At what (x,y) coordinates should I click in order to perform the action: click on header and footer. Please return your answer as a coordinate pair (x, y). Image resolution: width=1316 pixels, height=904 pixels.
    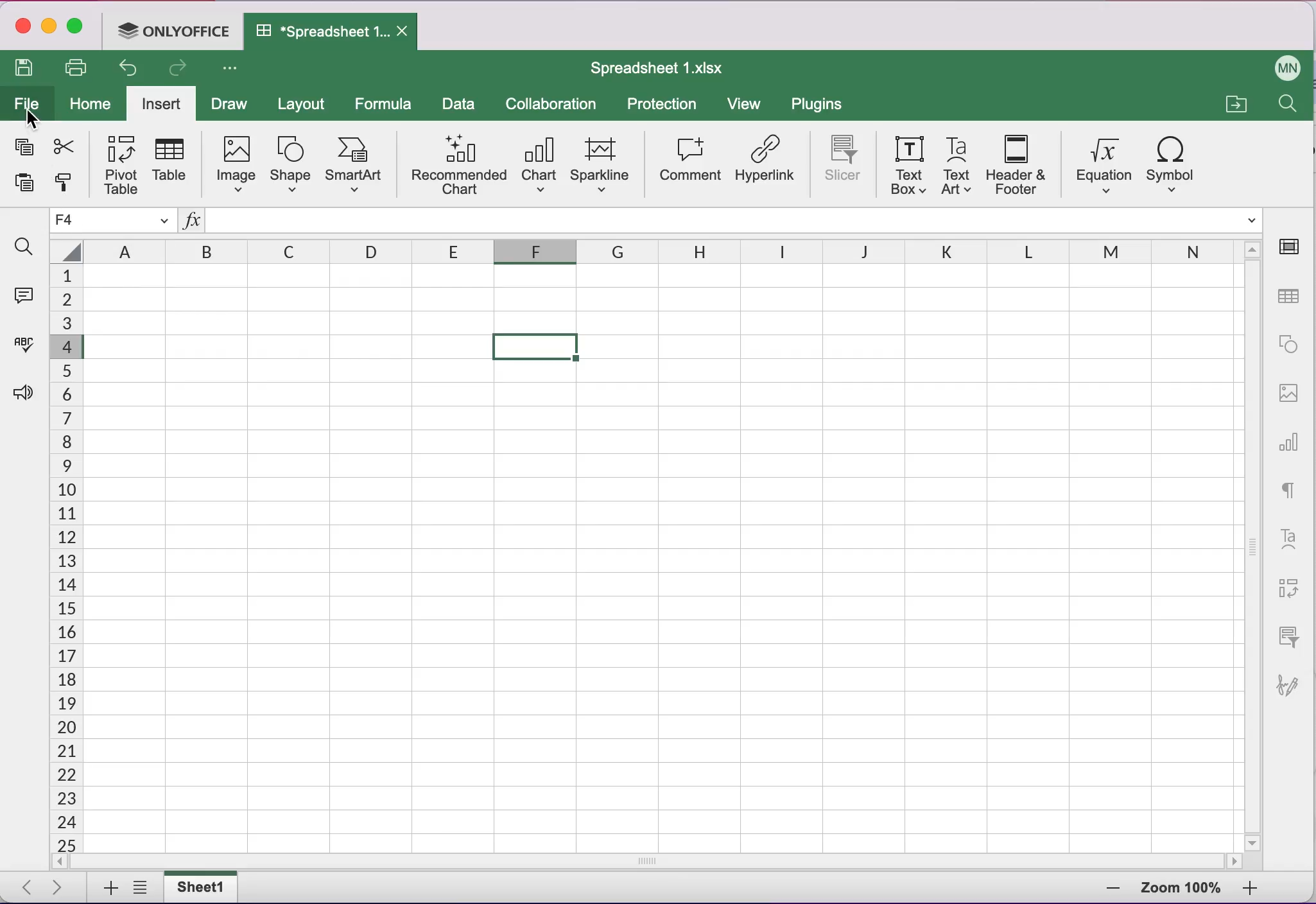
    Looking at the image, I should click on (1014, 165).